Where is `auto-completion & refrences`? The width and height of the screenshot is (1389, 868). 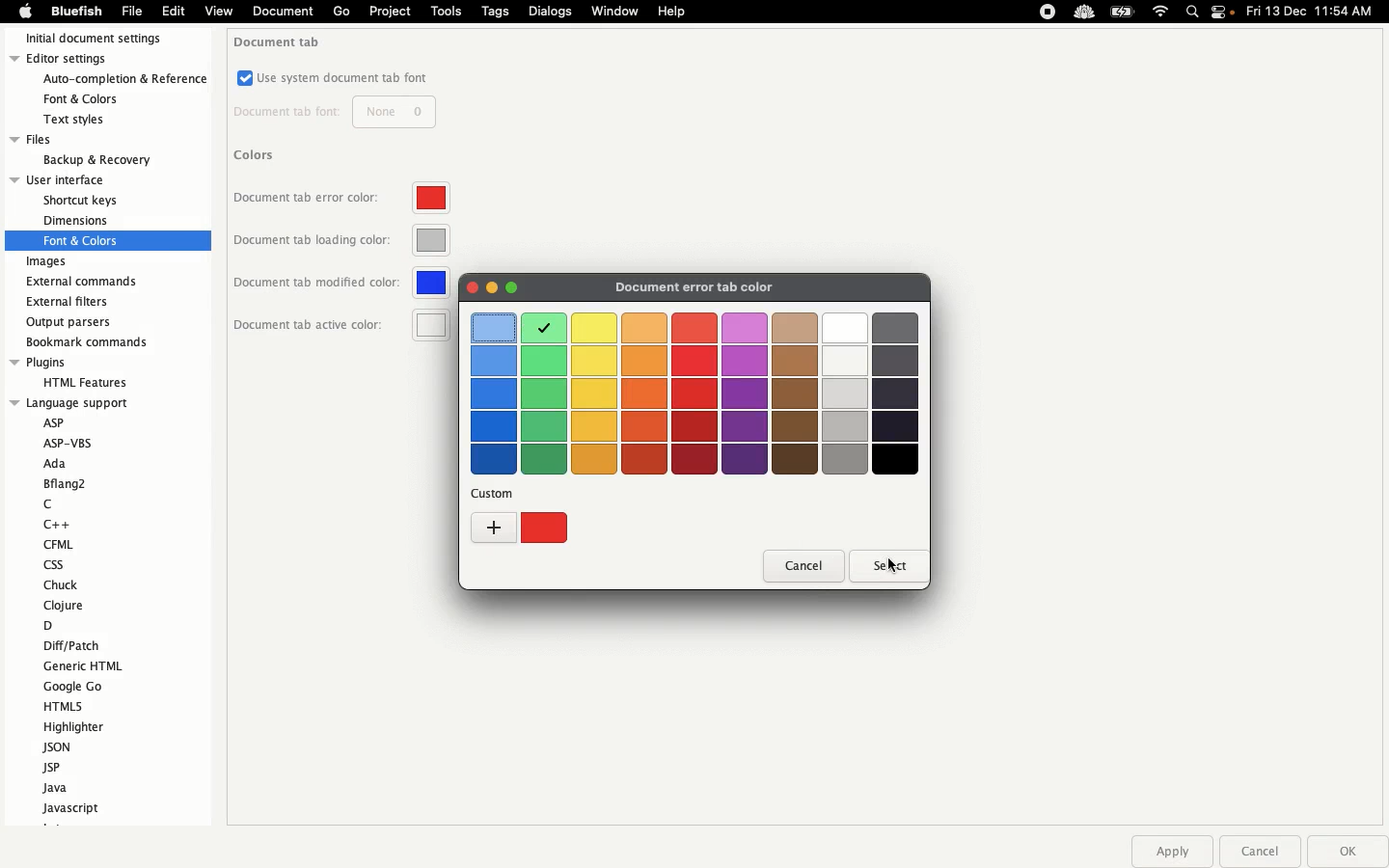 auto-completion & refrences is located at coordinates (126, 80).